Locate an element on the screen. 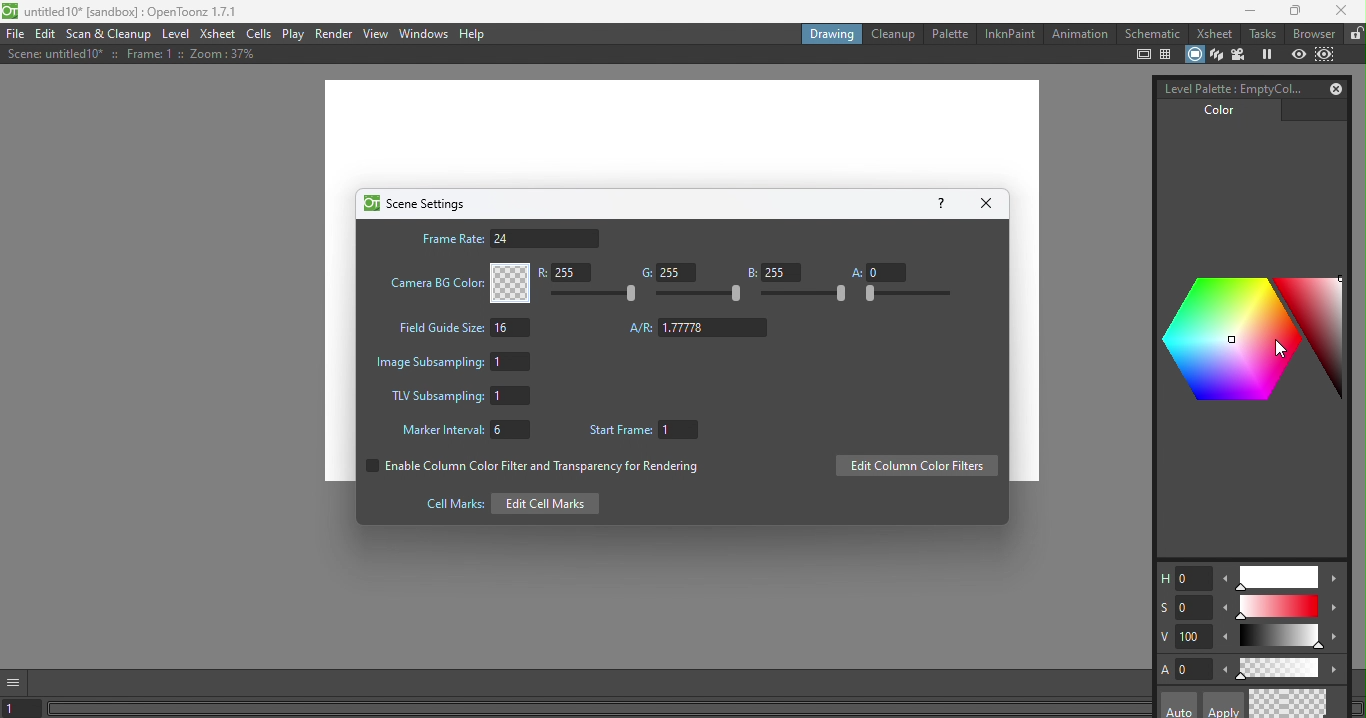 This screenshot has height=718, width=1366. A is located at coordinates (1186, 669).